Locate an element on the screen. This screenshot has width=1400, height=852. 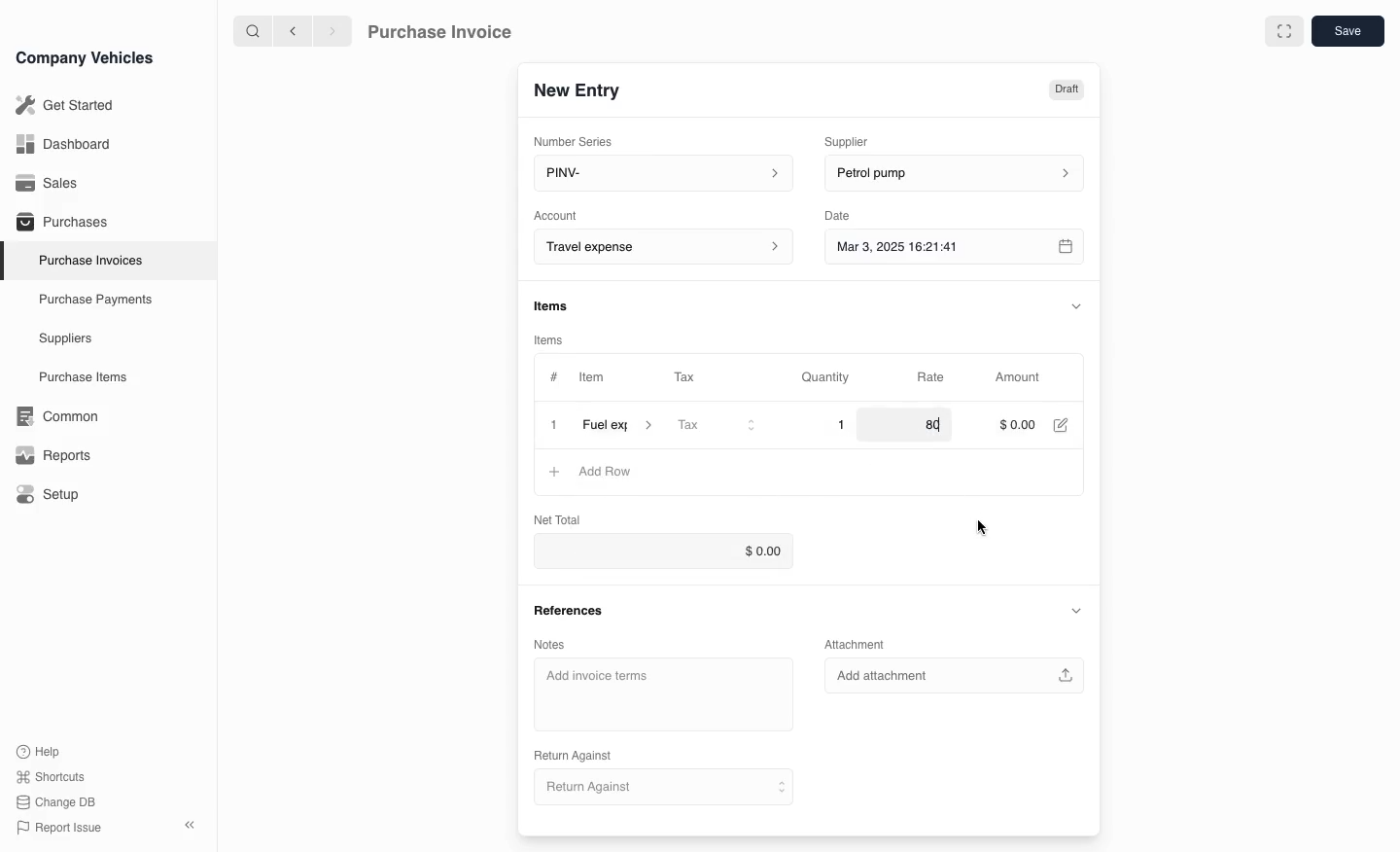
Account is located at coordinates (660, 247).